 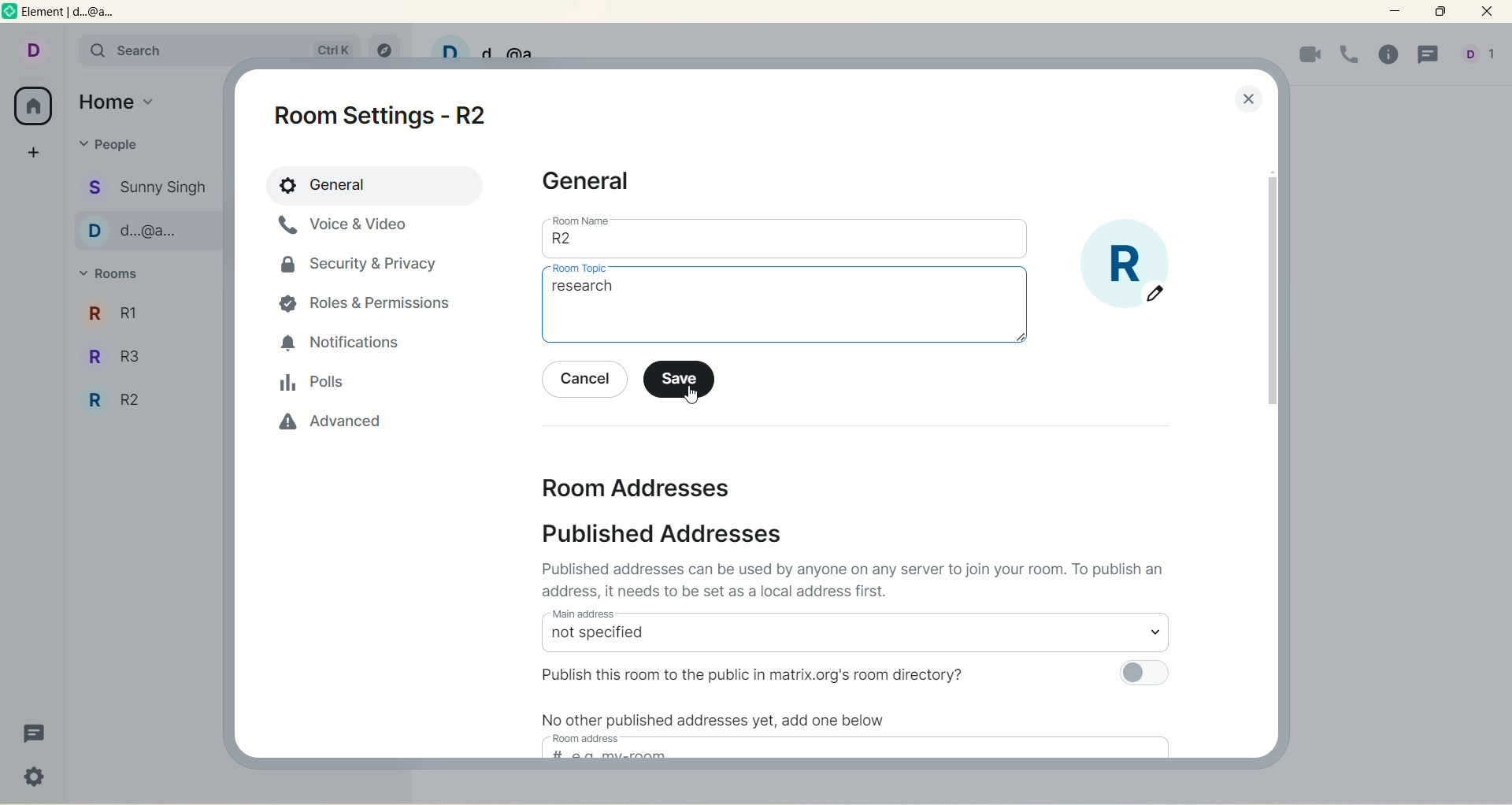 What do you see at coordinates (585, 379) in the screenshot?
I see `cancel` at bounding box center [585, 379].